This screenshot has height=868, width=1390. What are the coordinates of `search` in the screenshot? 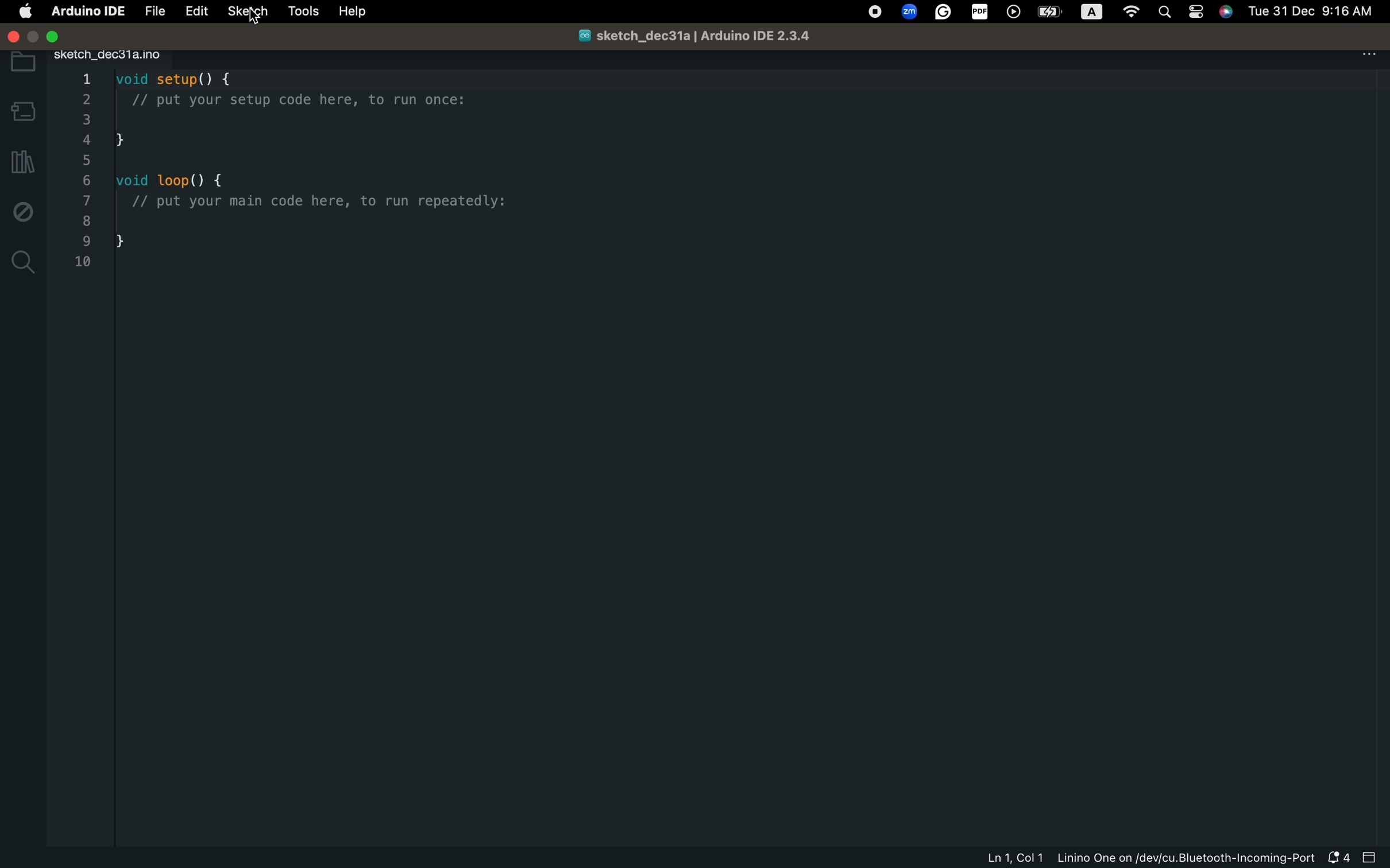 It's located at (23, 266).